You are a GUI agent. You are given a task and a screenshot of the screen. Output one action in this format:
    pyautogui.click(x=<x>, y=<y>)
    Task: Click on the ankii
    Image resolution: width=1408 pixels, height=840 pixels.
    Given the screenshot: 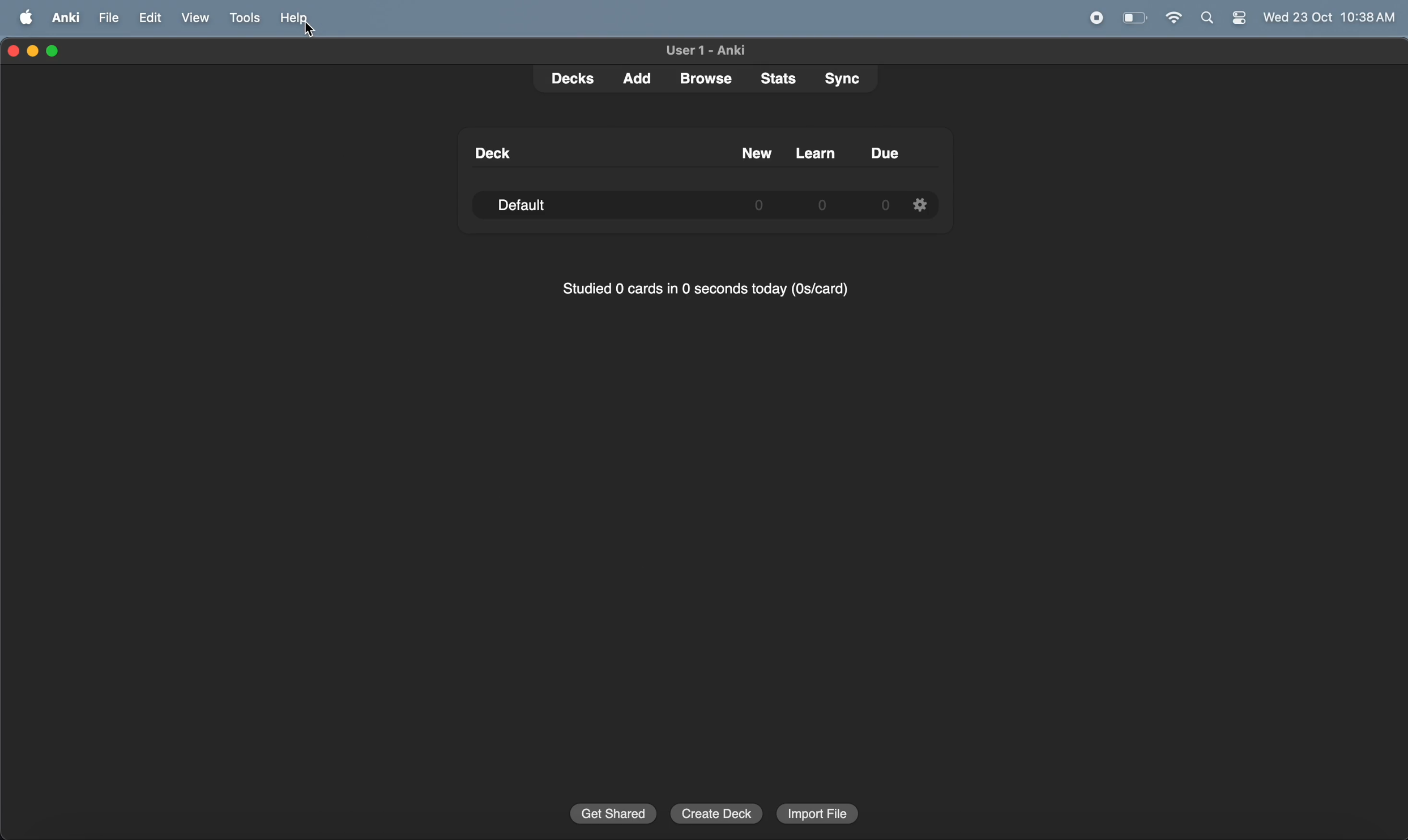 What is the action you would take?
    pyautogui.click(x=62, y=19)
    